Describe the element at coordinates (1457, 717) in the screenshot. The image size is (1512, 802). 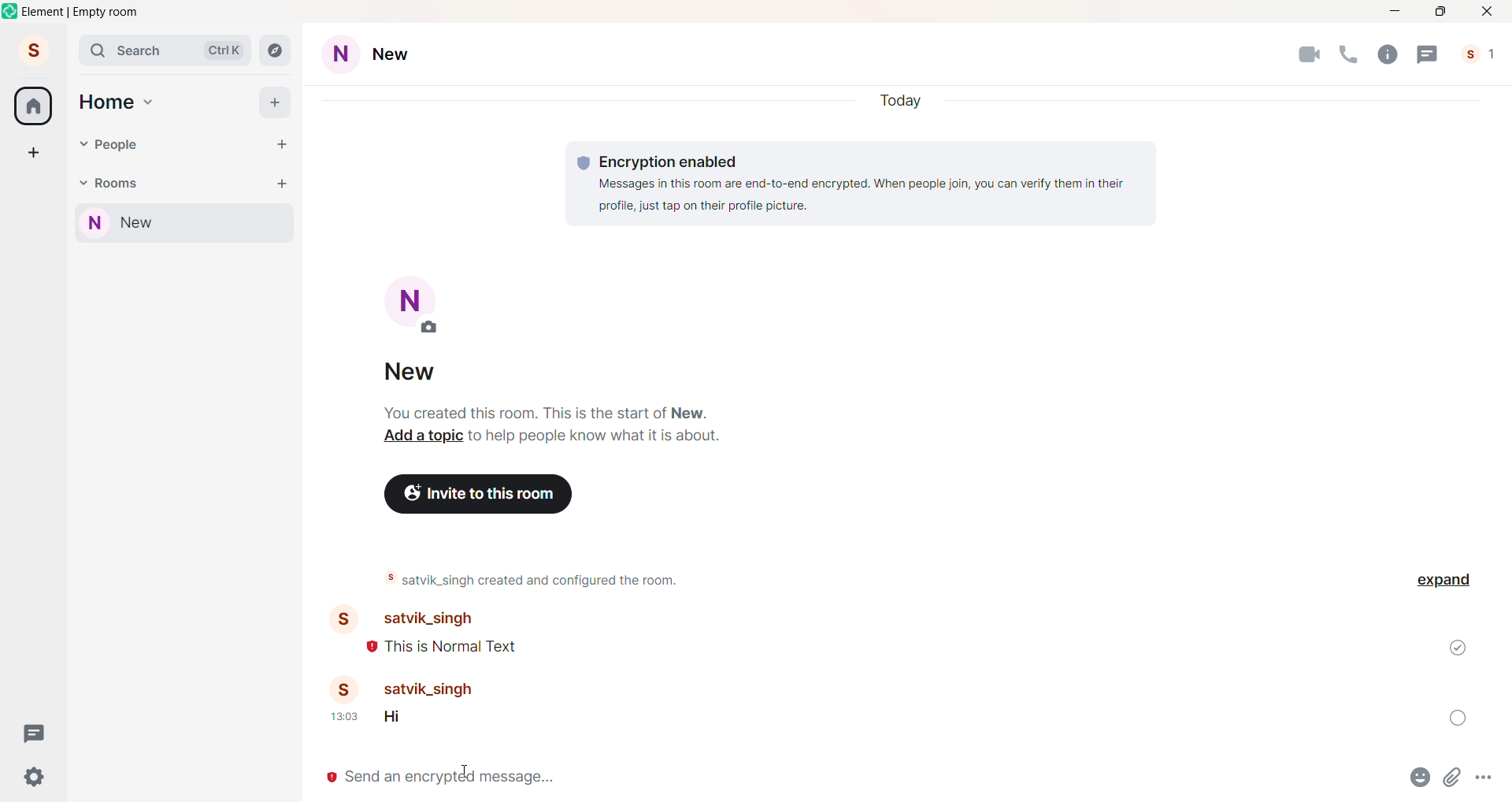
I see `Message sent` at that location.